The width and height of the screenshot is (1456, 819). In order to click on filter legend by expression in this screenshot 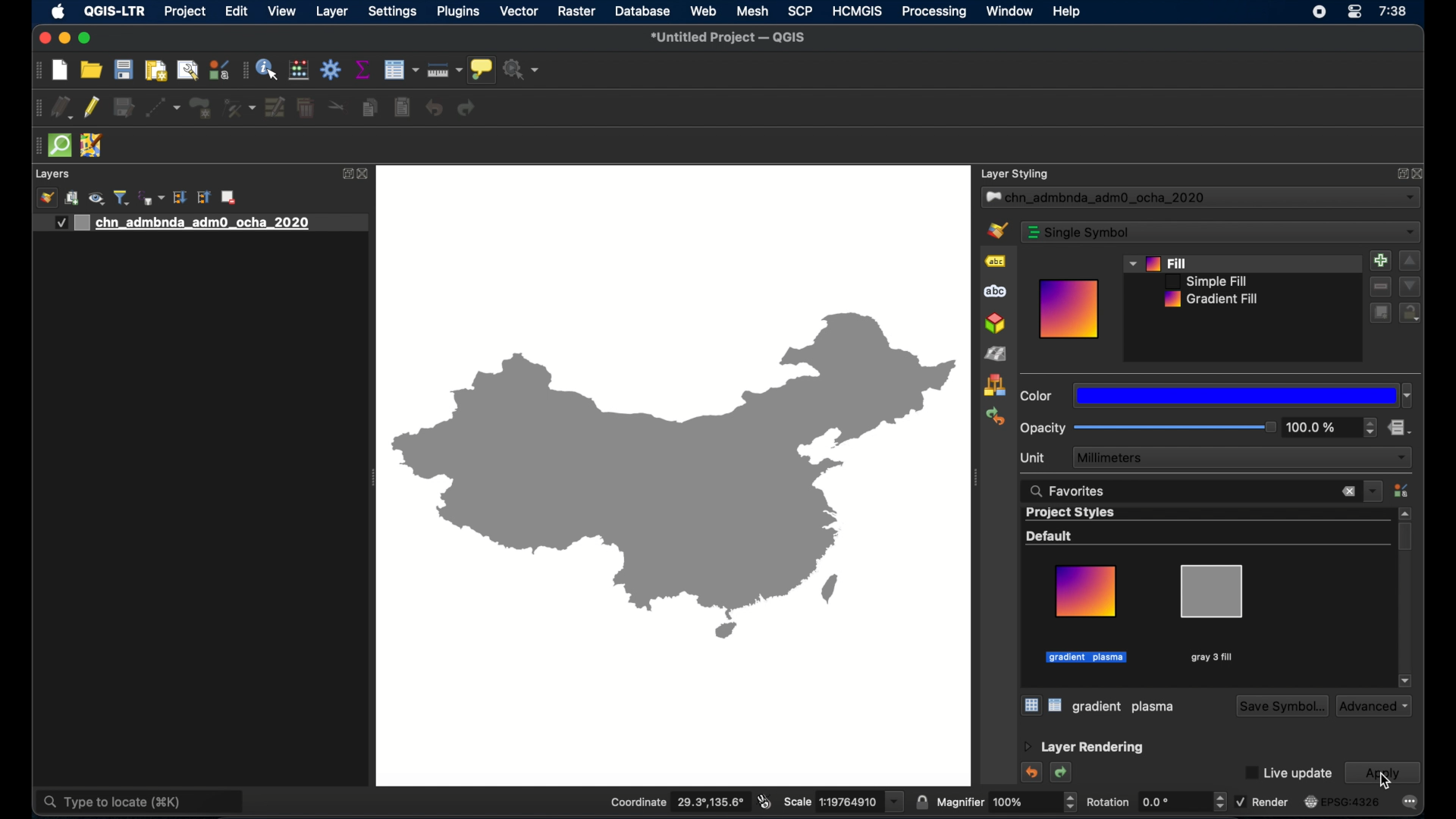, I will do `click(152, 198)`.